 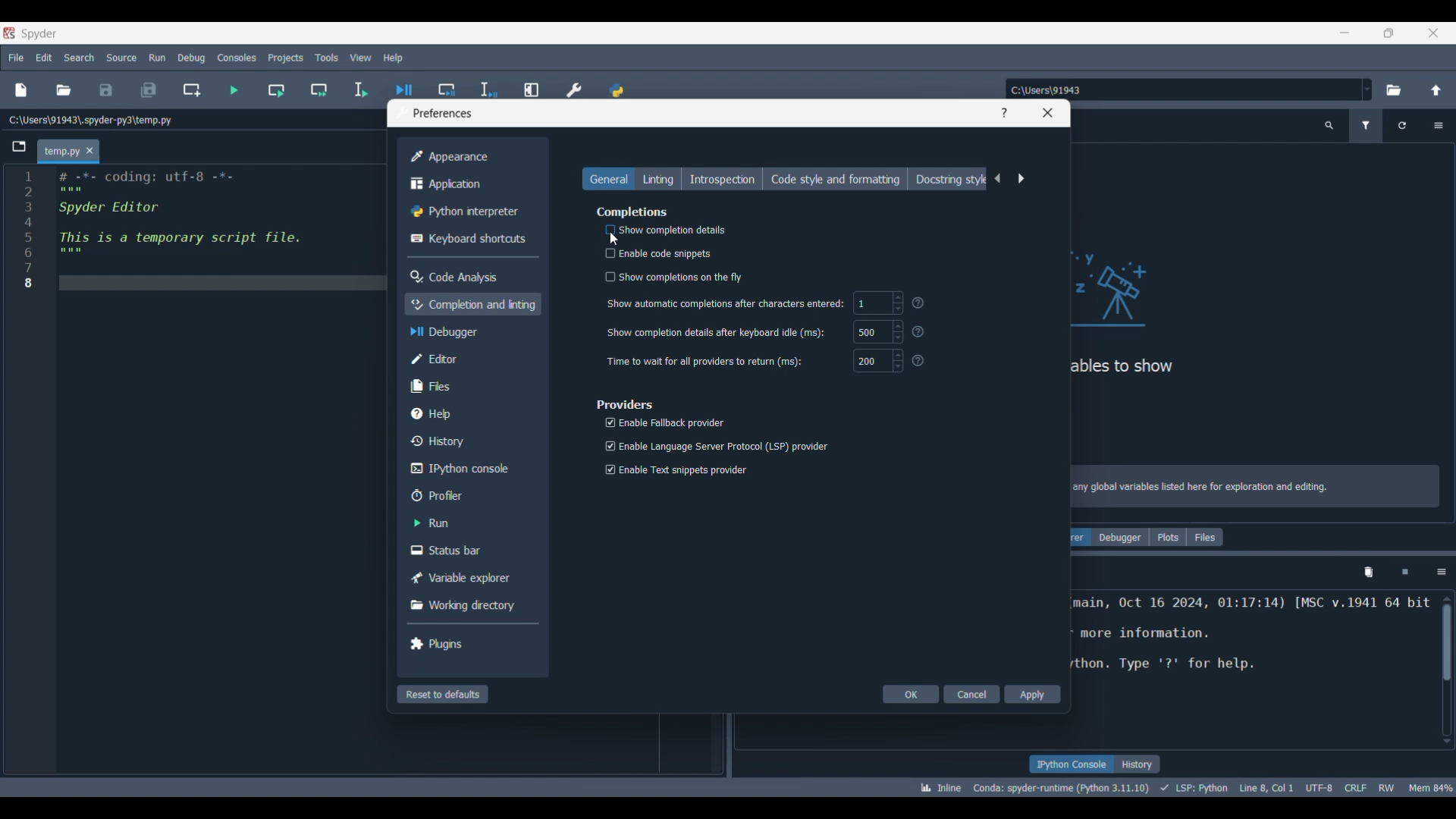 I want to click on Keyboard shortcuts, so click(x=469, y=239).